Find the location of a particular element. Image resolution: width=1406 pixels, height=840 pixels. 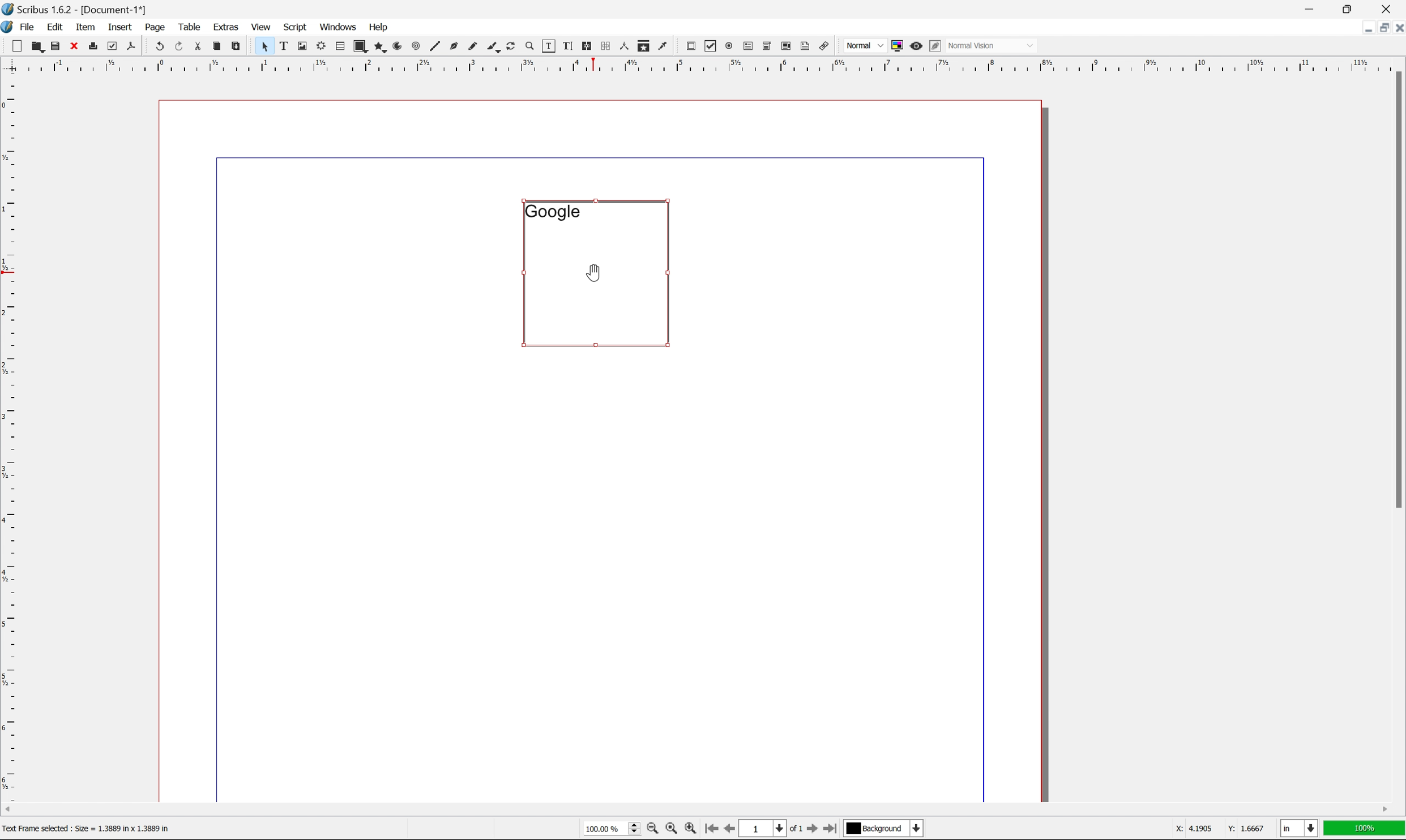

select current layer is located at coordinates (882, 829).